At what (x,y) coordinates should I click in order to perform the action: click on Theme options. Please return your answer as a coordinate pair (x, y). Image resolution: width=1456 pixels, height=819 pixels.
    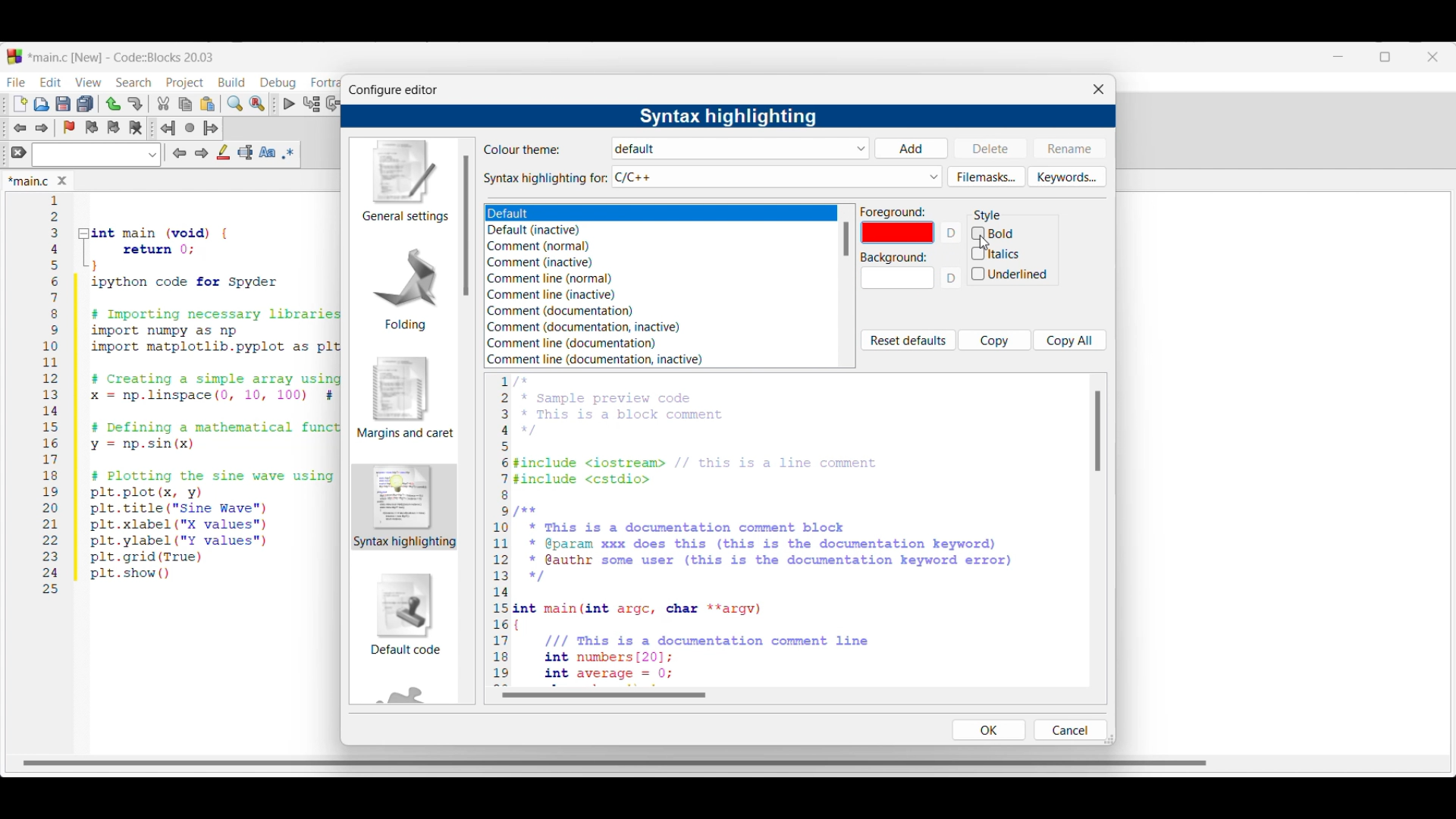
    Looking at the image, I should click on (595, 214).